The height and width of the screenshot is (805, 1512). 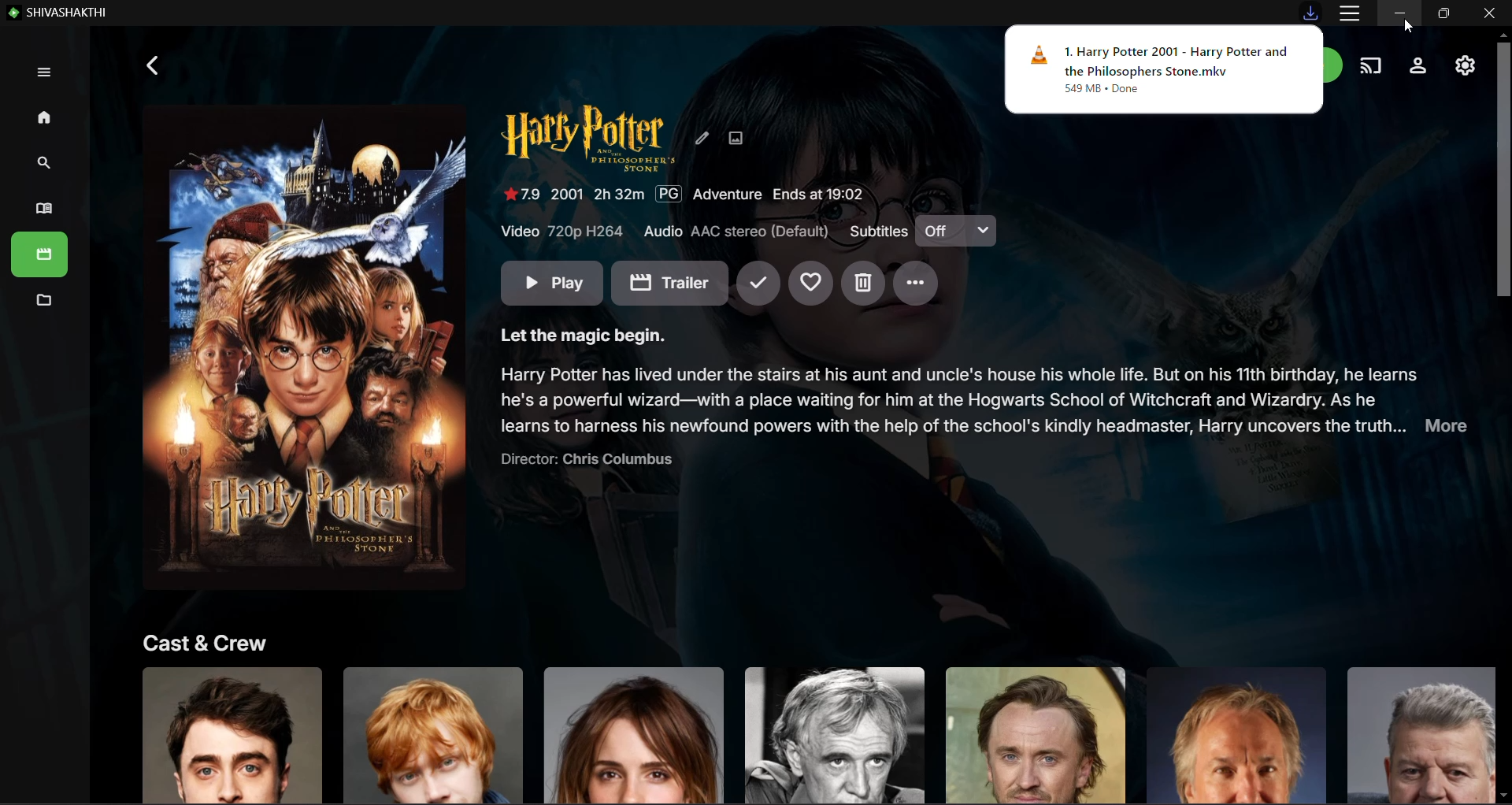 What do you see at coordinates (1415, 734) in the screenshot?
I see `Click to know more about actor` at bounding box center [1415, 734].